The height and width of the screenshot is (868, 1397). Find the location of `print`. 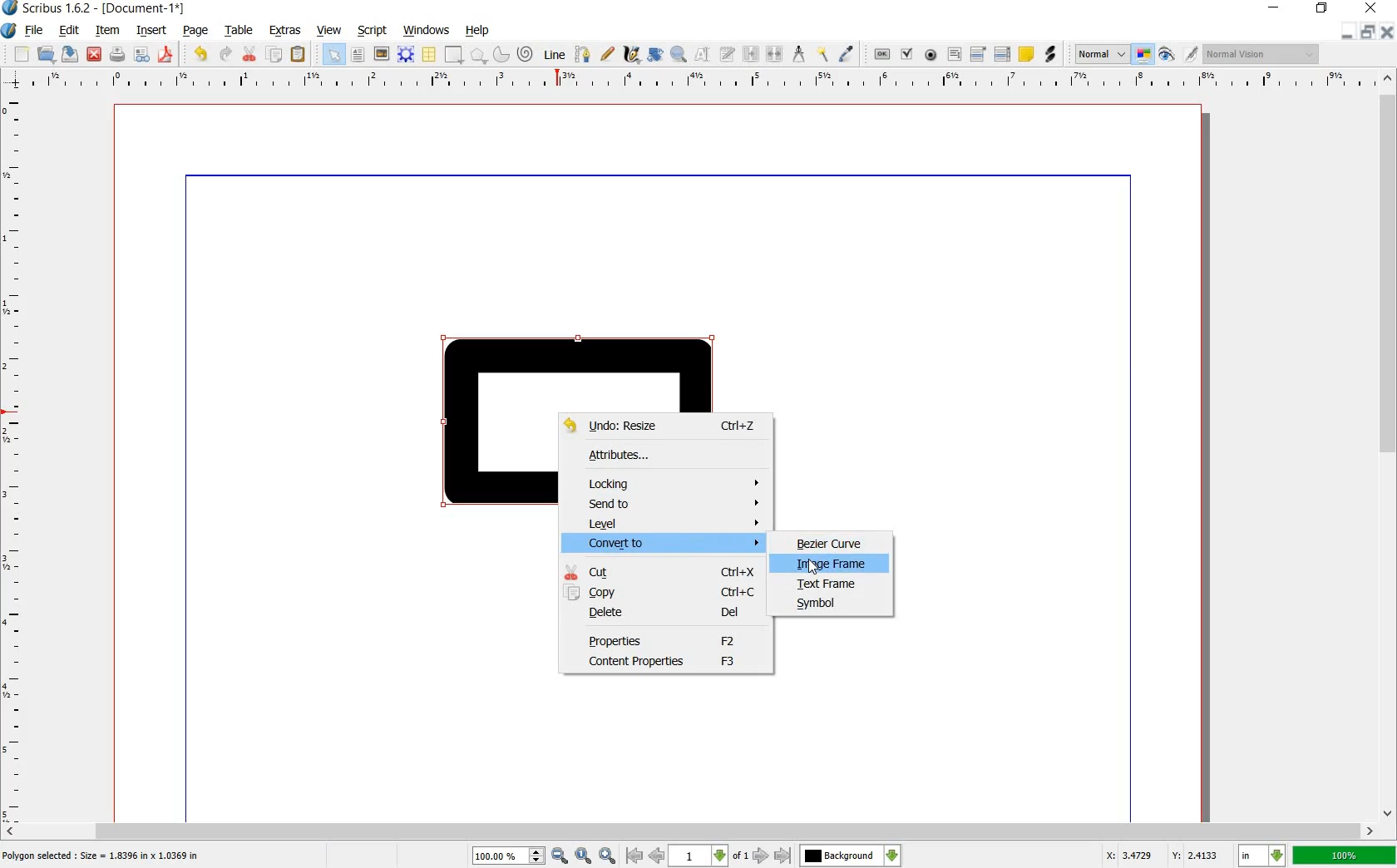

print is located at coordinates (117, 55).